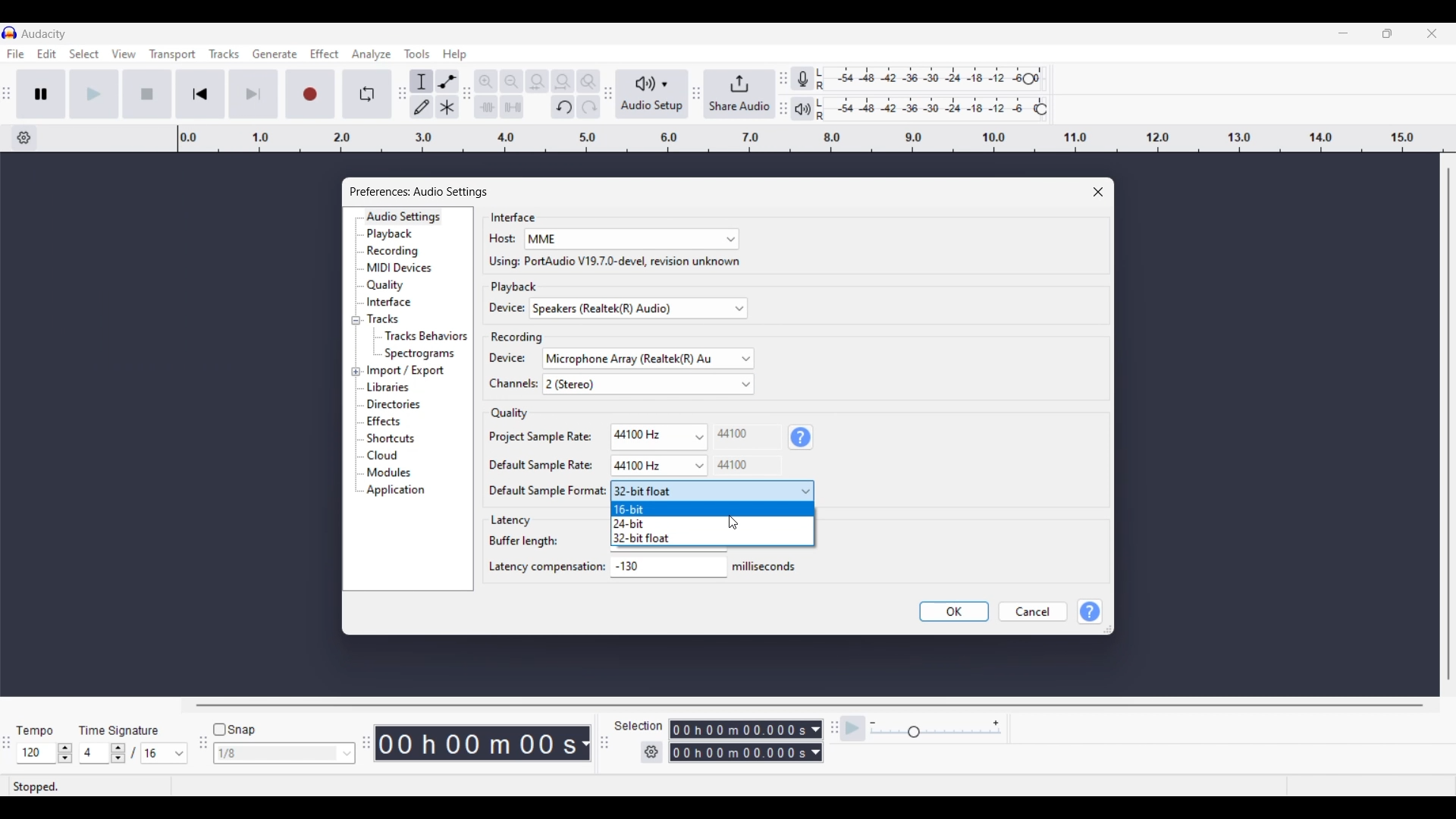 This screenshot has width=1456, height=819. Describe the element at coordinates (422, 107) in the screenshot. I see `Draw tool` at that location.